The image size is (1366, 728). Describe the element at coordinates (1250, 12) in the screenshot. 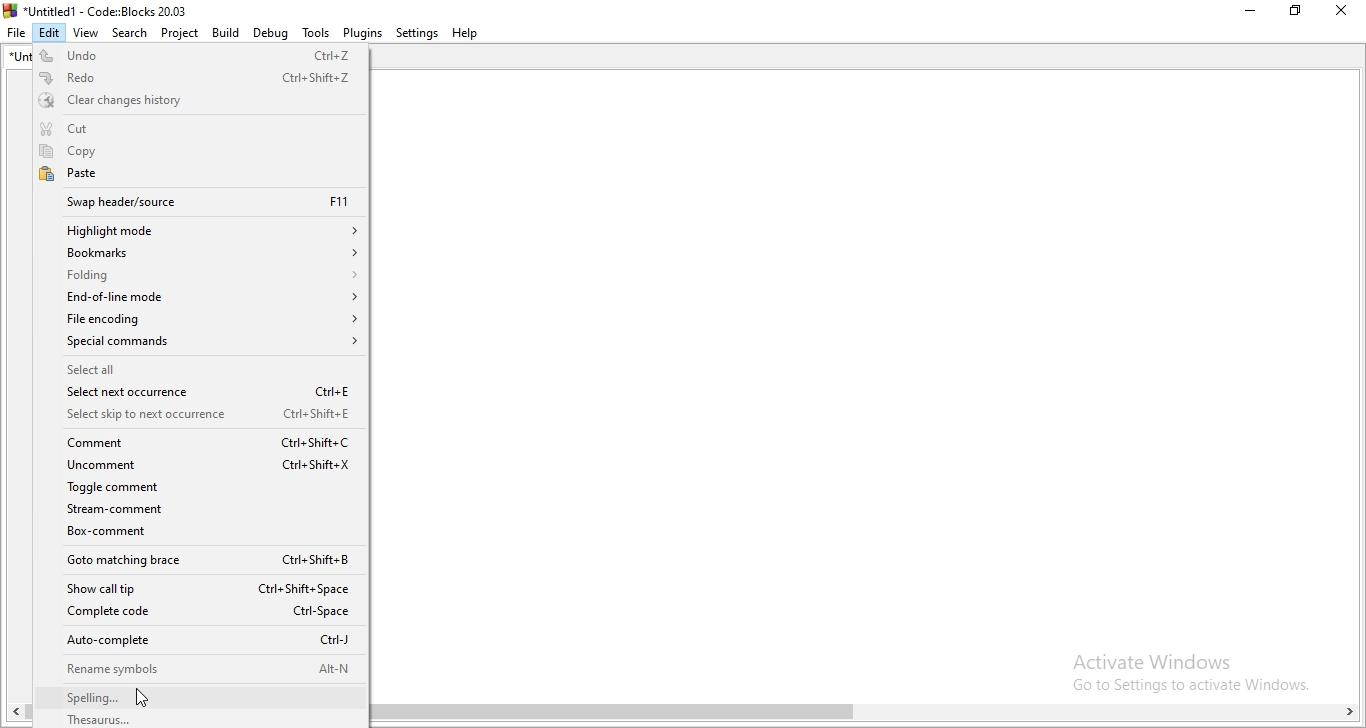

I see `Minimise` at that location.